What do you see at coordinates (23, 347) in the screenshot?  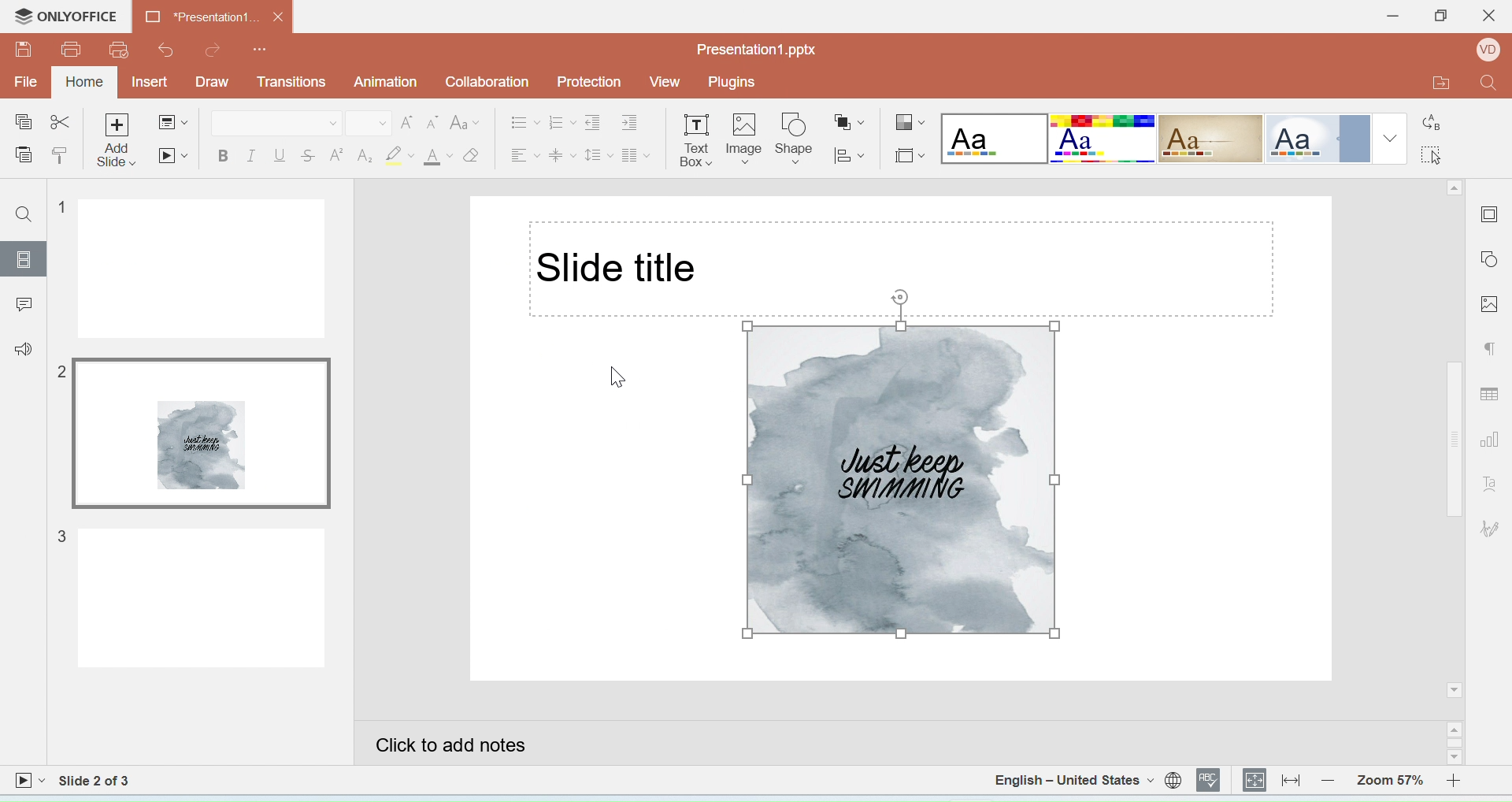 I see `Feedback & support` at bounding box center [23, 347].